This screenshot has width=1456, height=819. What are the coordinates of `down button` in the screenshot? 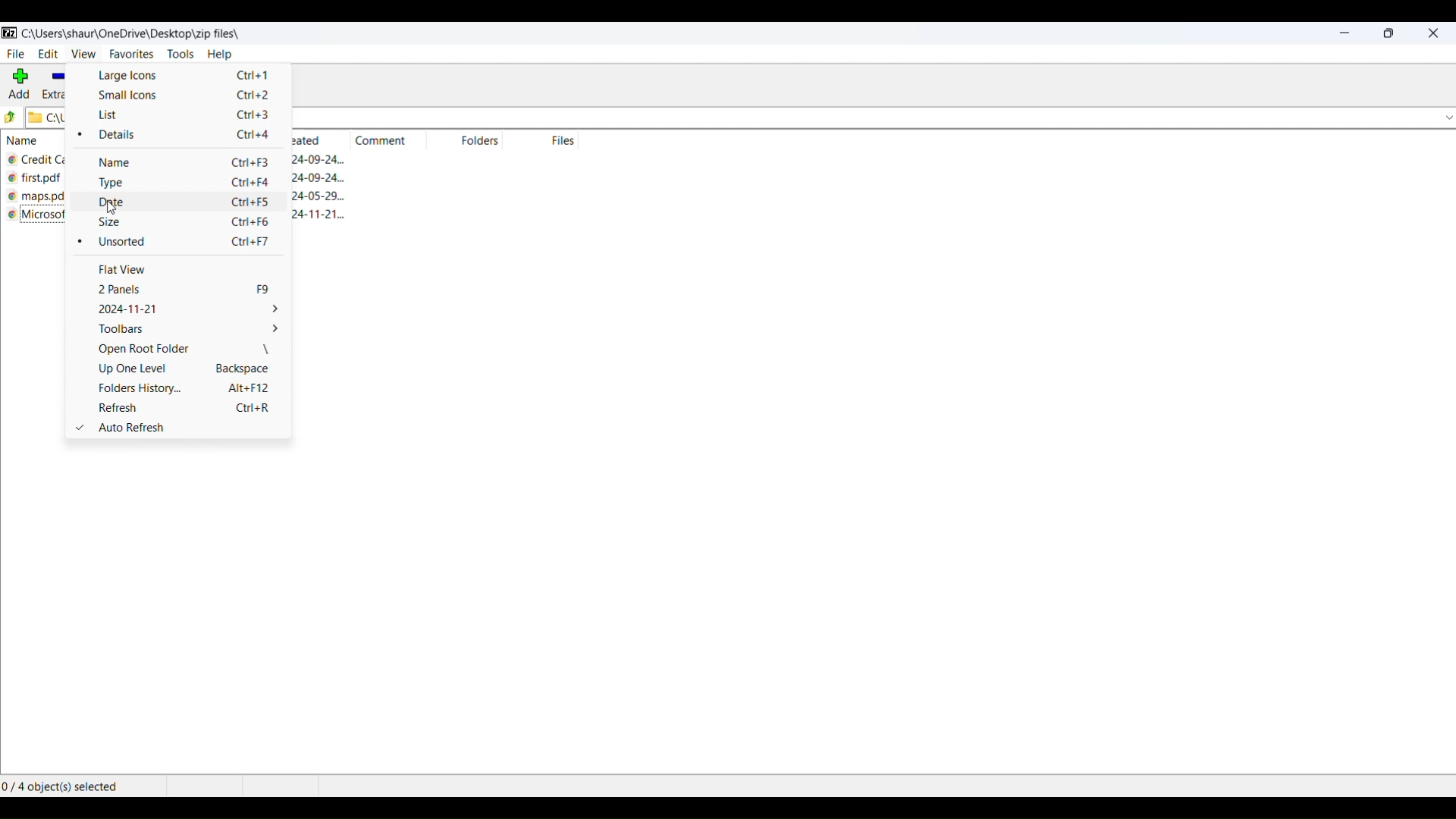 It's located at (1444, 117).